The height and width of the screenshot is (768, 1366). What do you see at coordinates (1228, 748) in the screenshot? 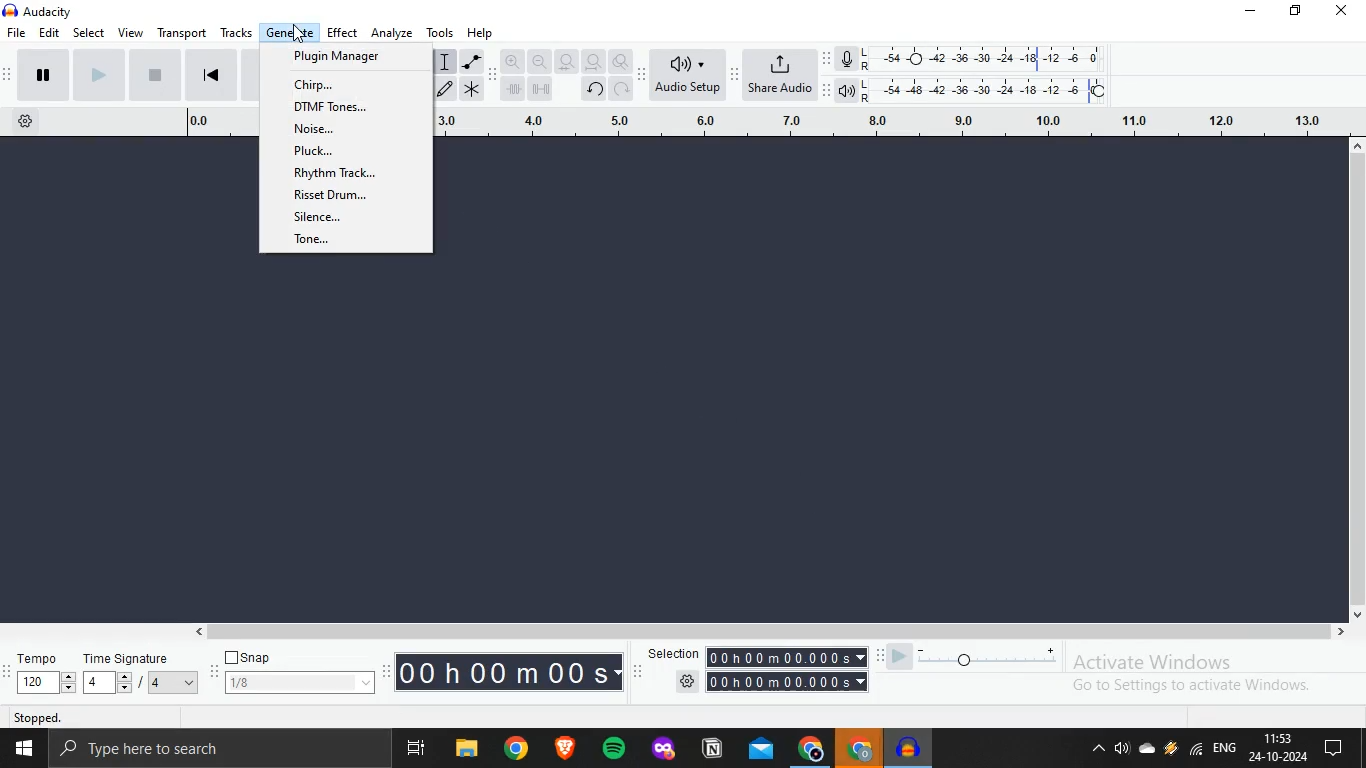
I see `Language` at bounding box center [1228, 748].